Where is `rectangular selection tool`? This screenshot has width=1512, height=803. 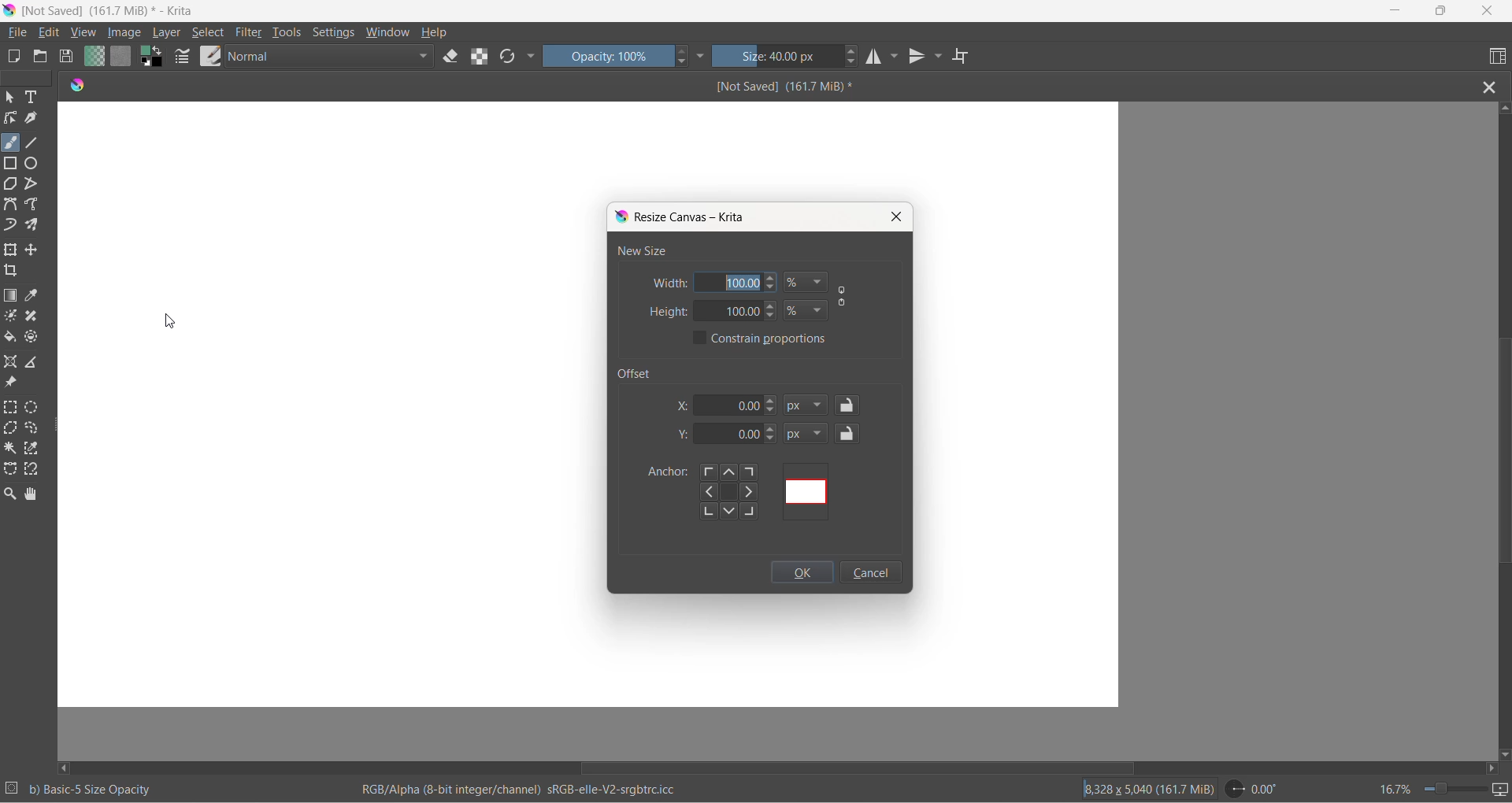
rectangular selection tool is located at coordinates (12, 409).